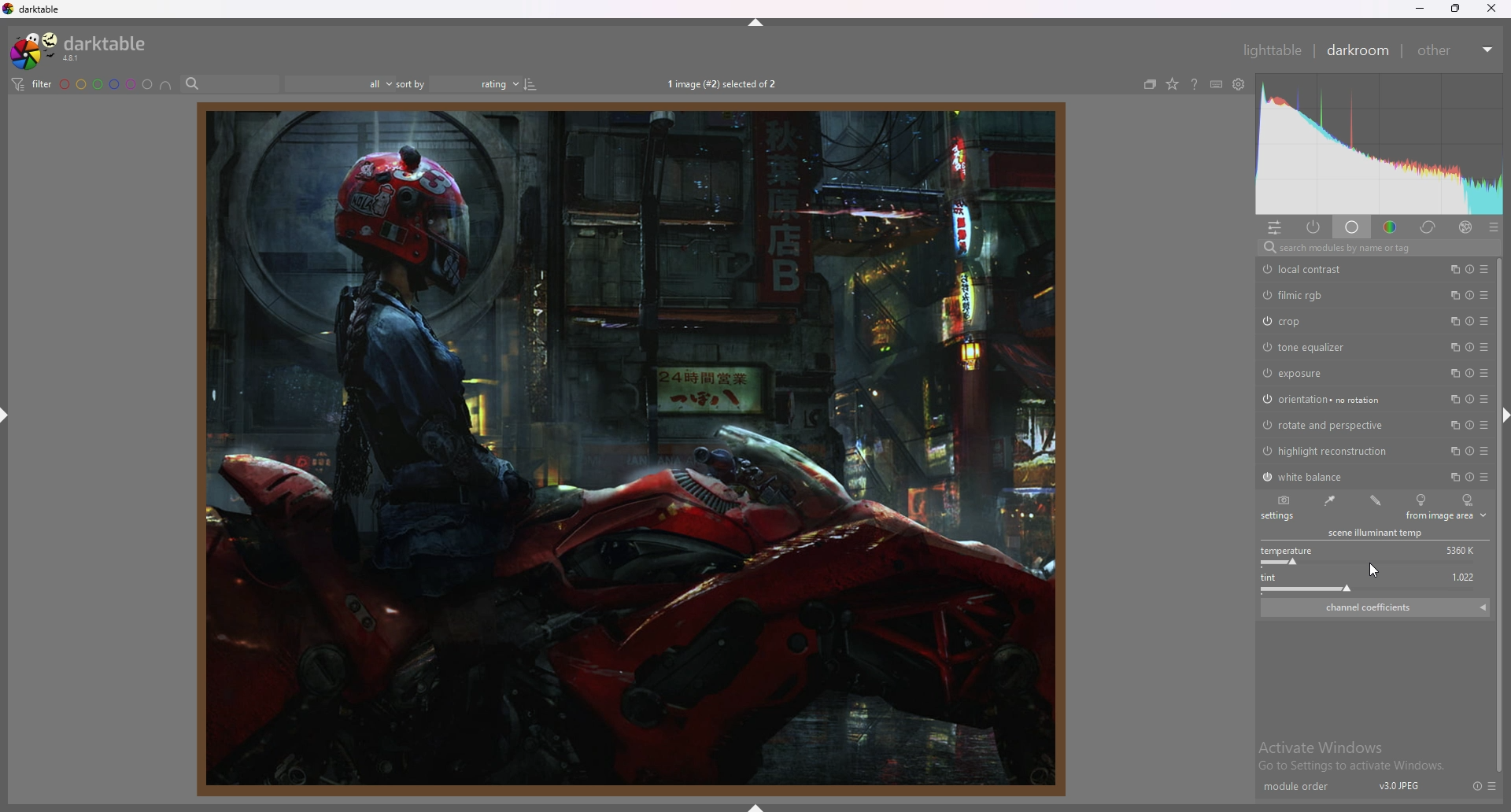 Image resolution: width=1511 pixels, height=812 pixels. I want to click on v3.0 jpeg, so click(1400, 786).